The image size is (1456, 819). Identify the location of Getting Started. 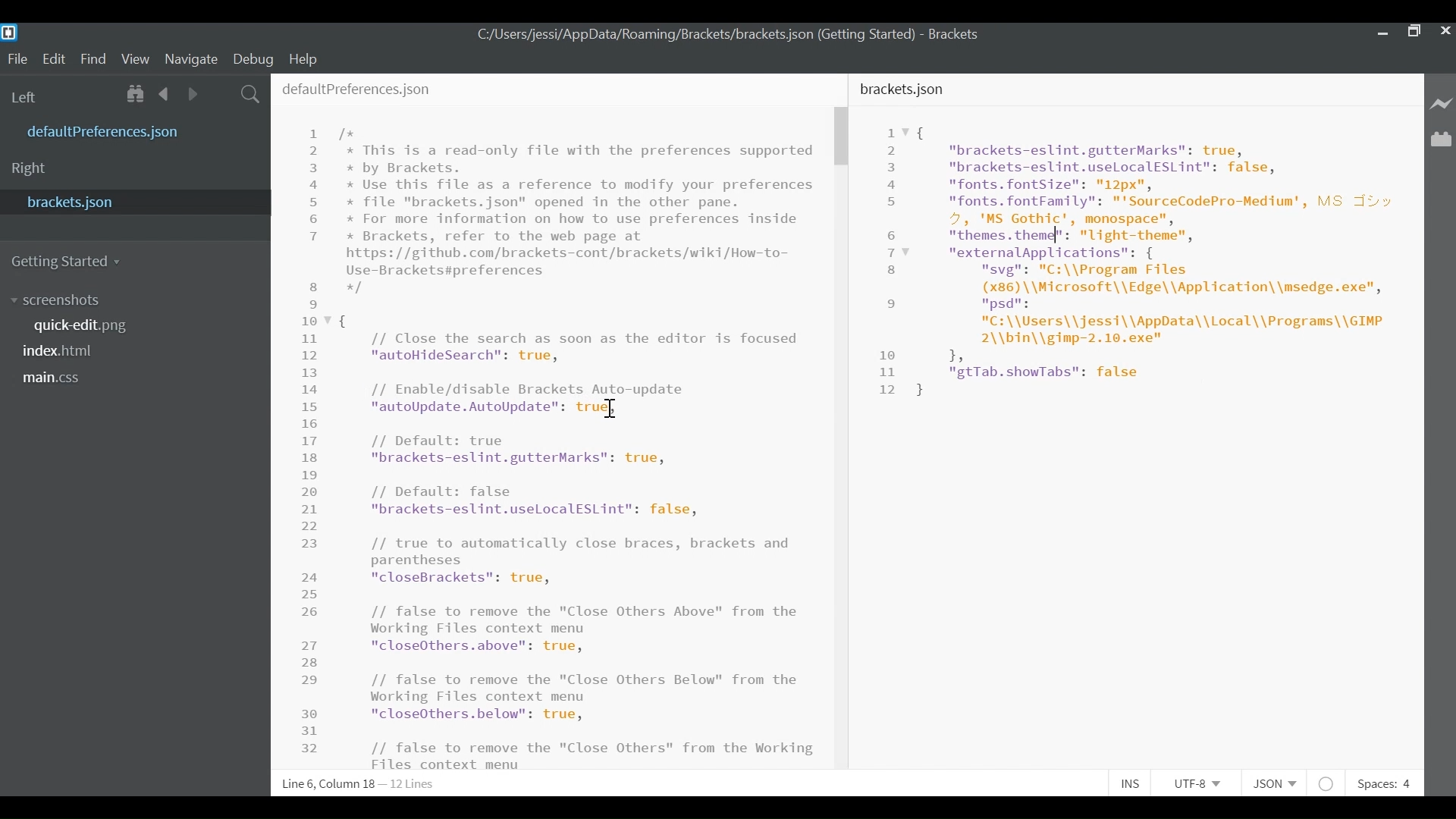
(73, 262).